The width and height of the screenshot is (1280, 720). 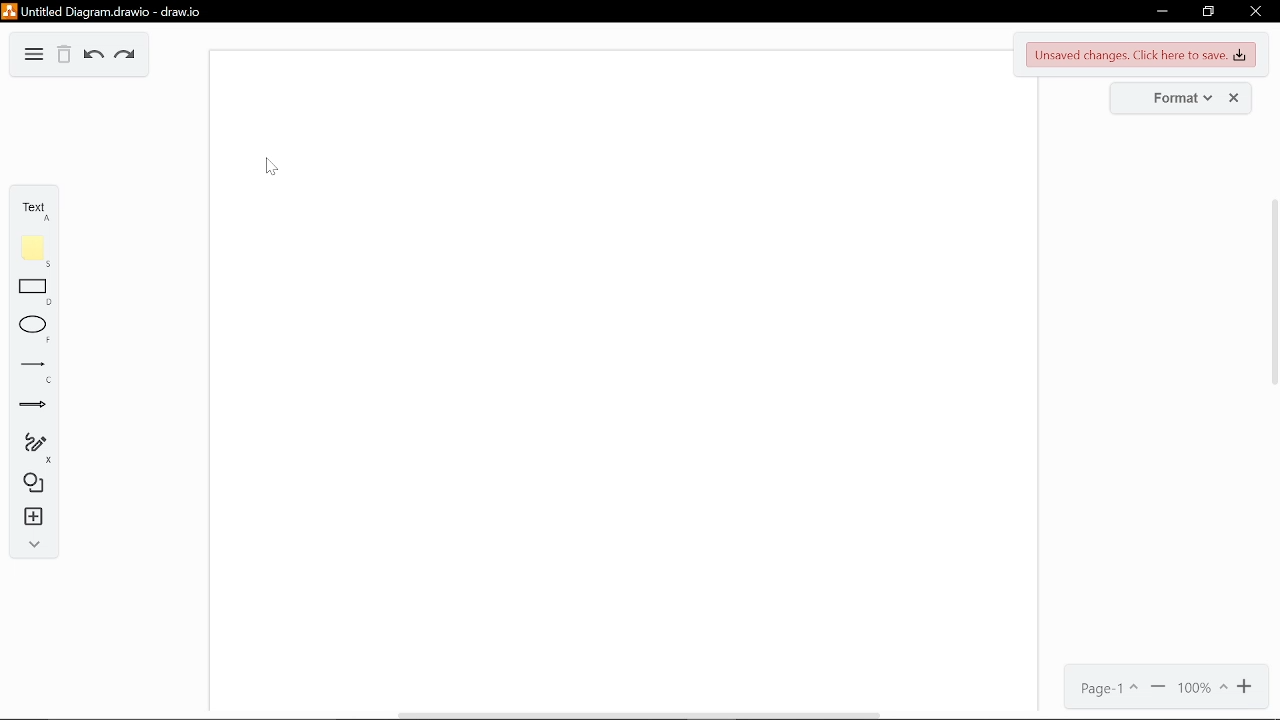 What do you see at coordinates (27, 515) in the screenshot?
I see `insert` at bounding box center [27, 515].